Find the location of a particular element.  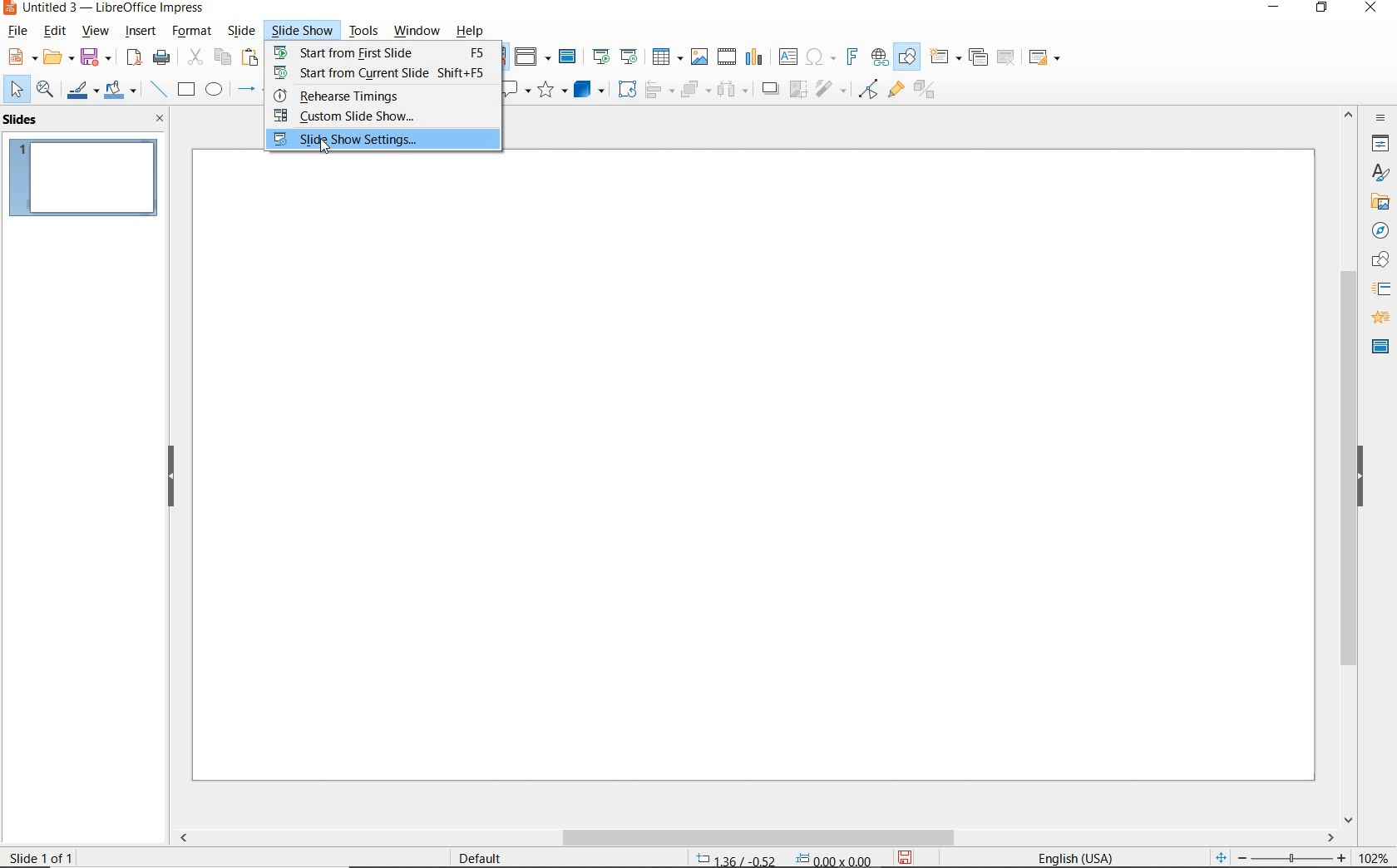

START FROM CURRENT SLIDE is located at coordinates (629, 56).